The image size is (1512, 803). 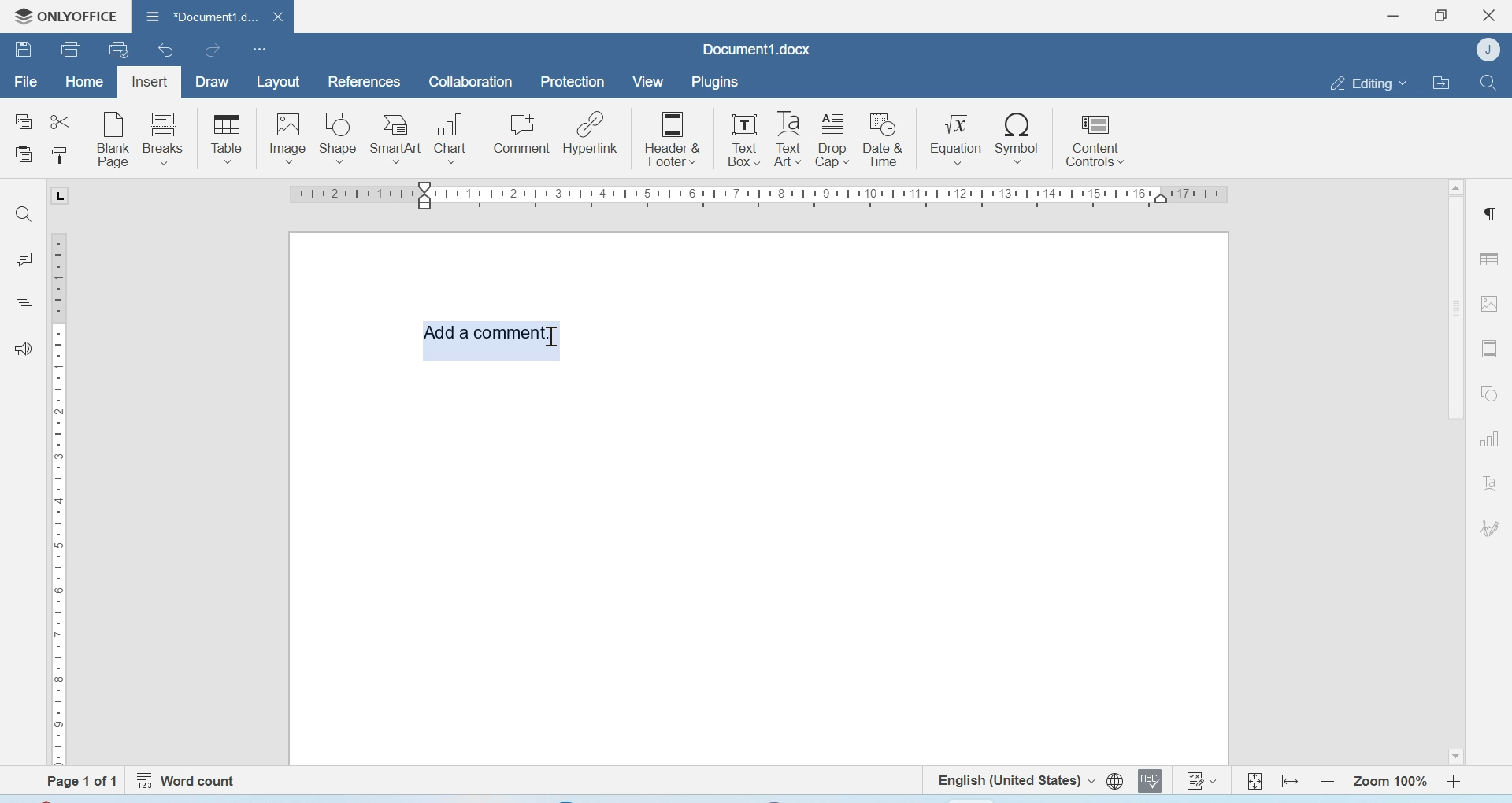 What do you see at coordinates (24, 122) in the screenshot?
I see `Copy` at bounding box center [24, 122].